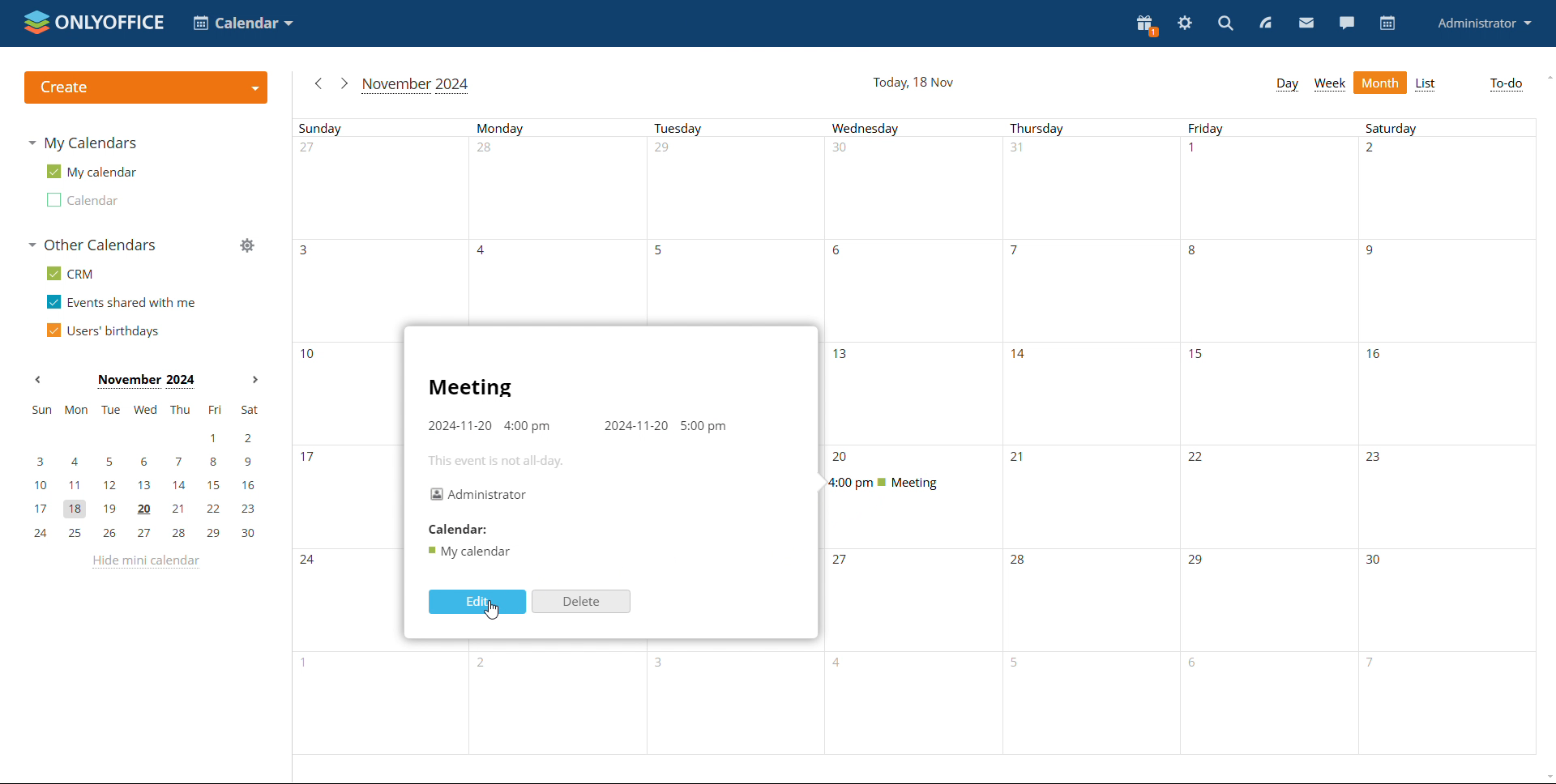 This screenshot has width=1556, height=784. What do you see at coordinates (247, 245) in the screenshot?
I see `manage` at bounding box center [247, 245].